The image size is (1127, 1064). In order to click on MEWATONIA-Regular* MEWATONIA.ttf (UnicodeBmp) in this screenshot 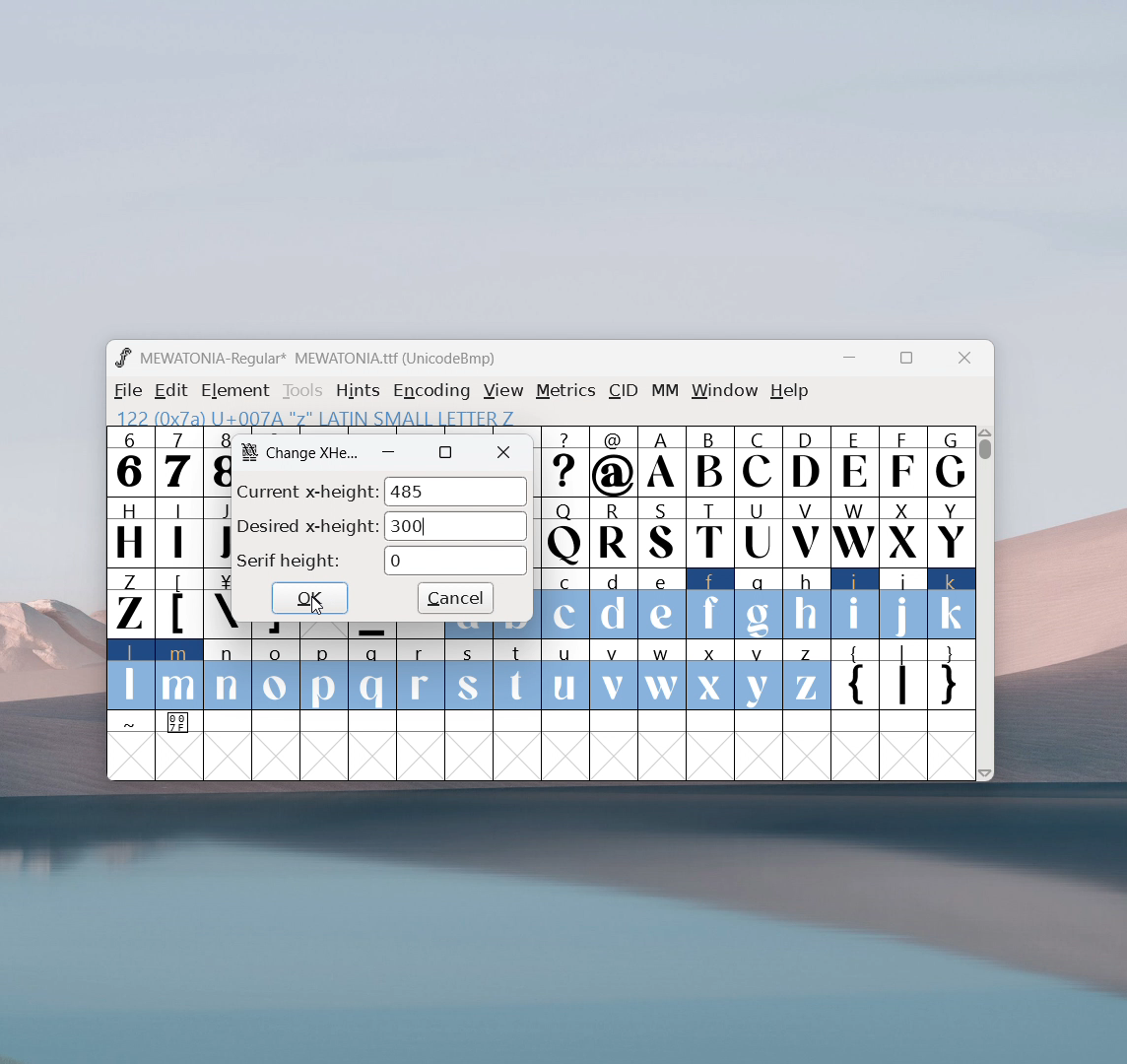, I will do `click(321, 359)`.